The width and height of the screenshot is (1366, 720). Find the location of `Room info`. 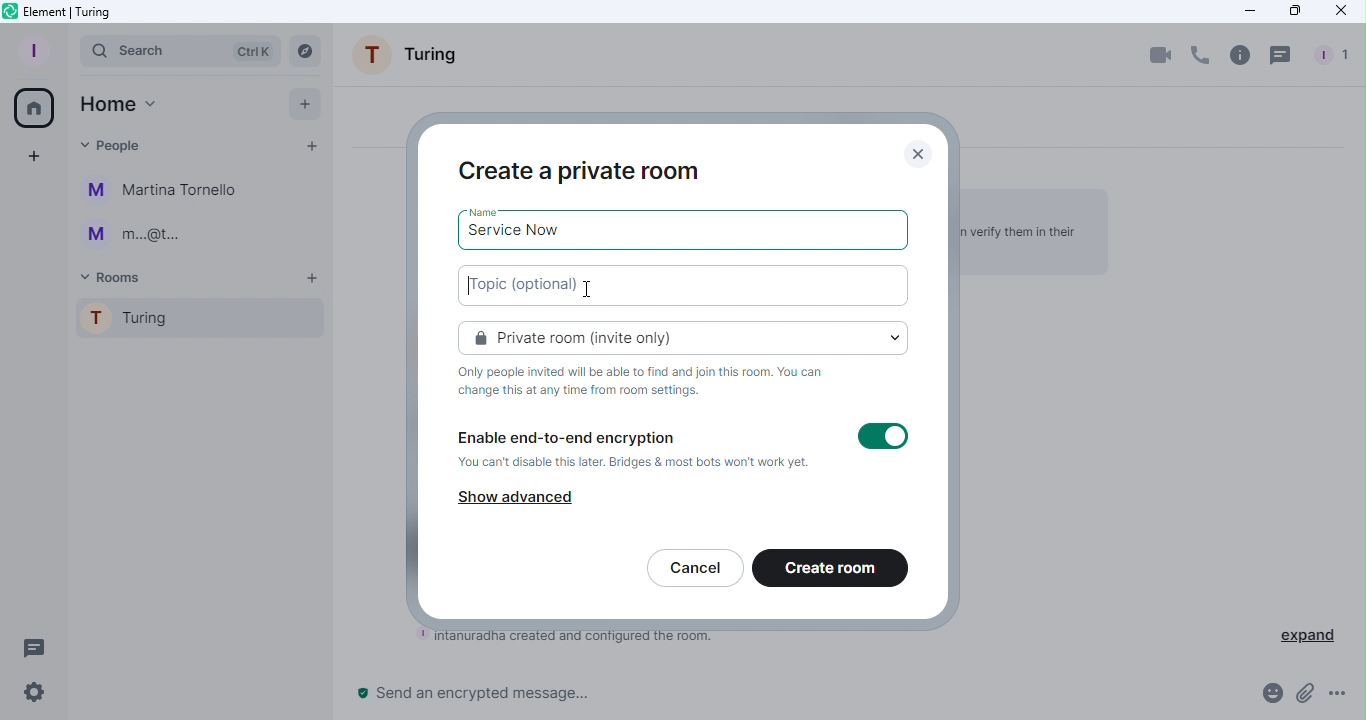

Room info is located at coordinates (1239, 54).